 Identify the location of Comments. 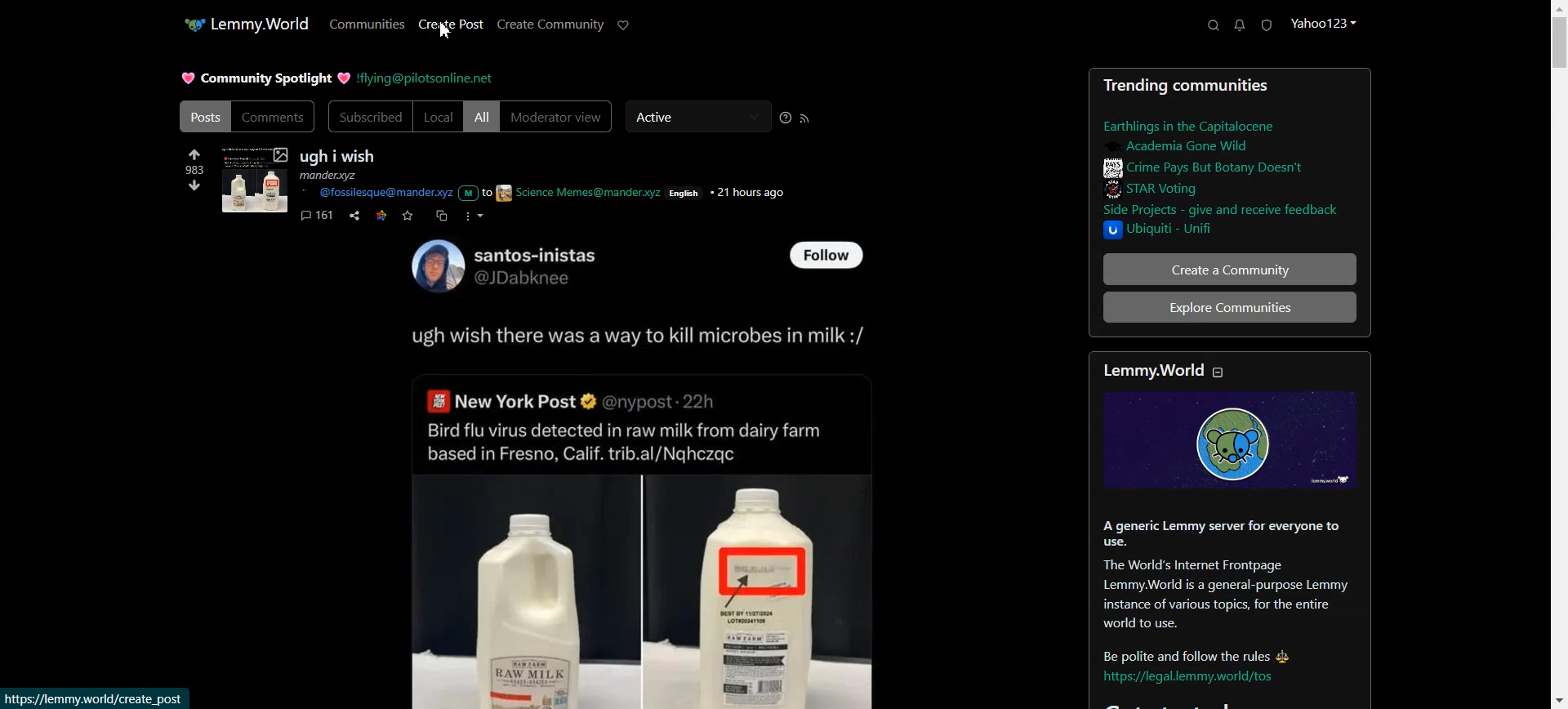
(318, 216).